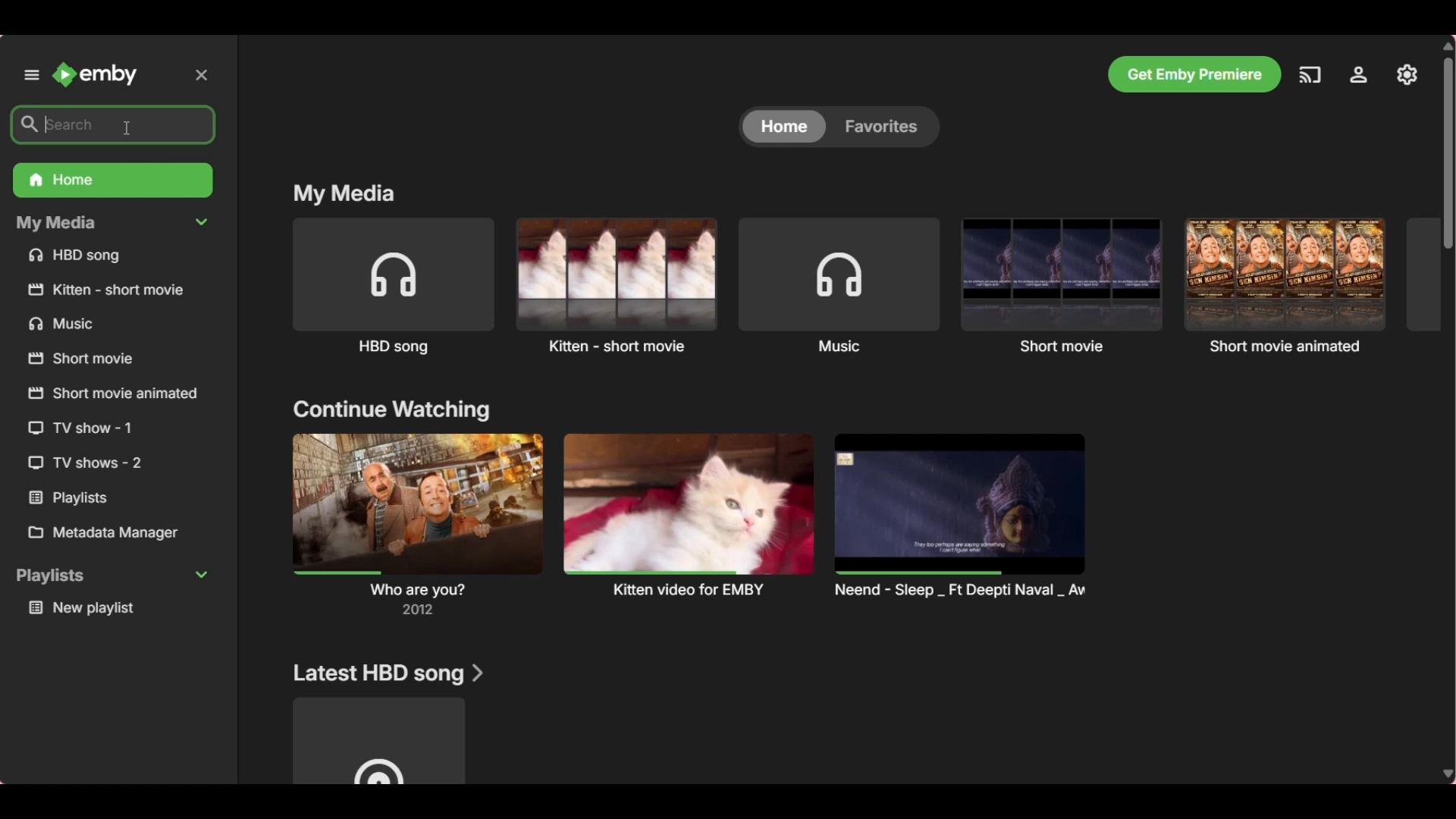  Describe the element at coordinates (1359, 74) in the screenshot. I see `Settings` at that location.